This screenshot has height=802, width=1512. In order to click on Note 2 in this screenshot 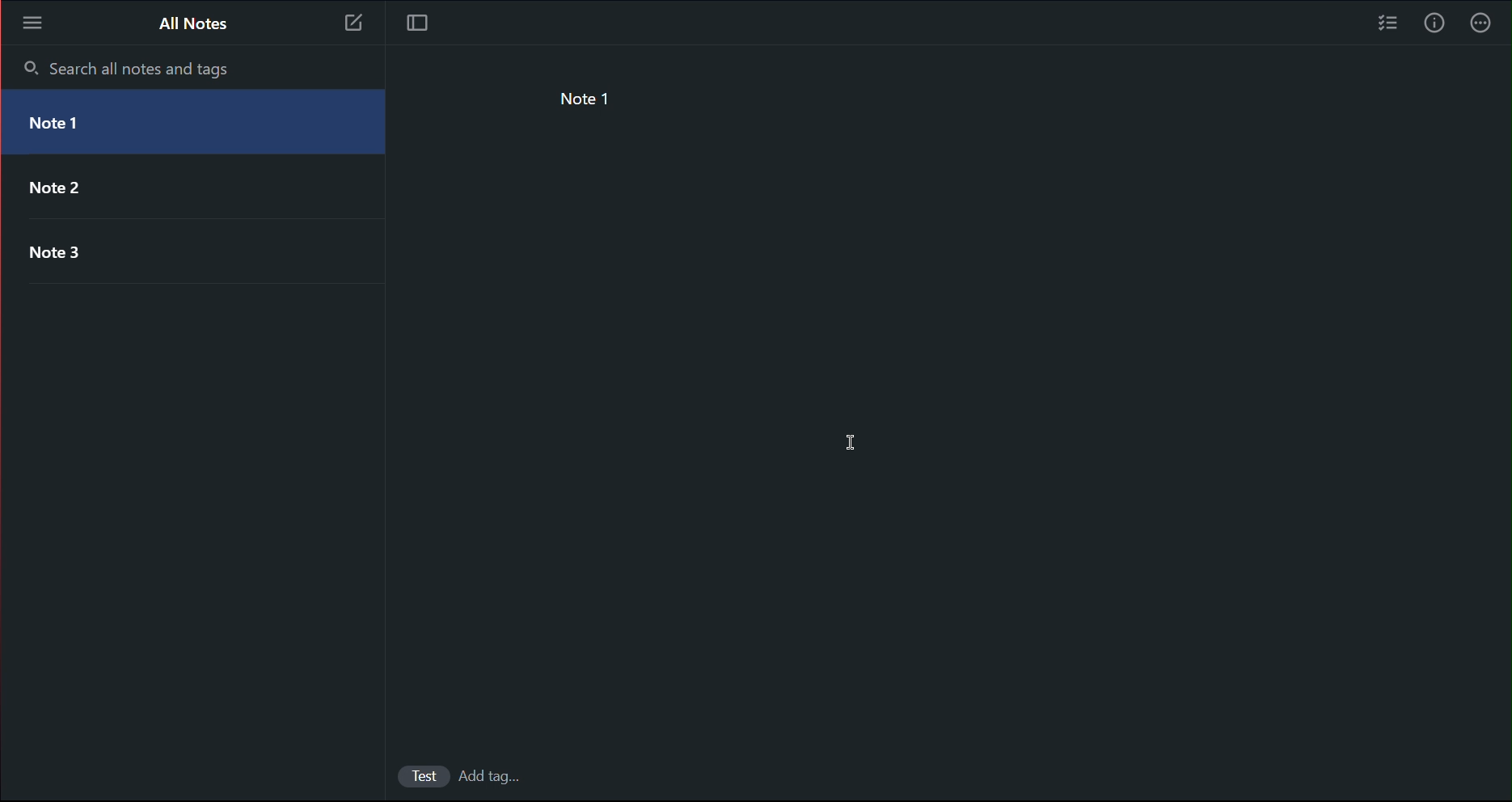, I will do `click(183, 190)`.